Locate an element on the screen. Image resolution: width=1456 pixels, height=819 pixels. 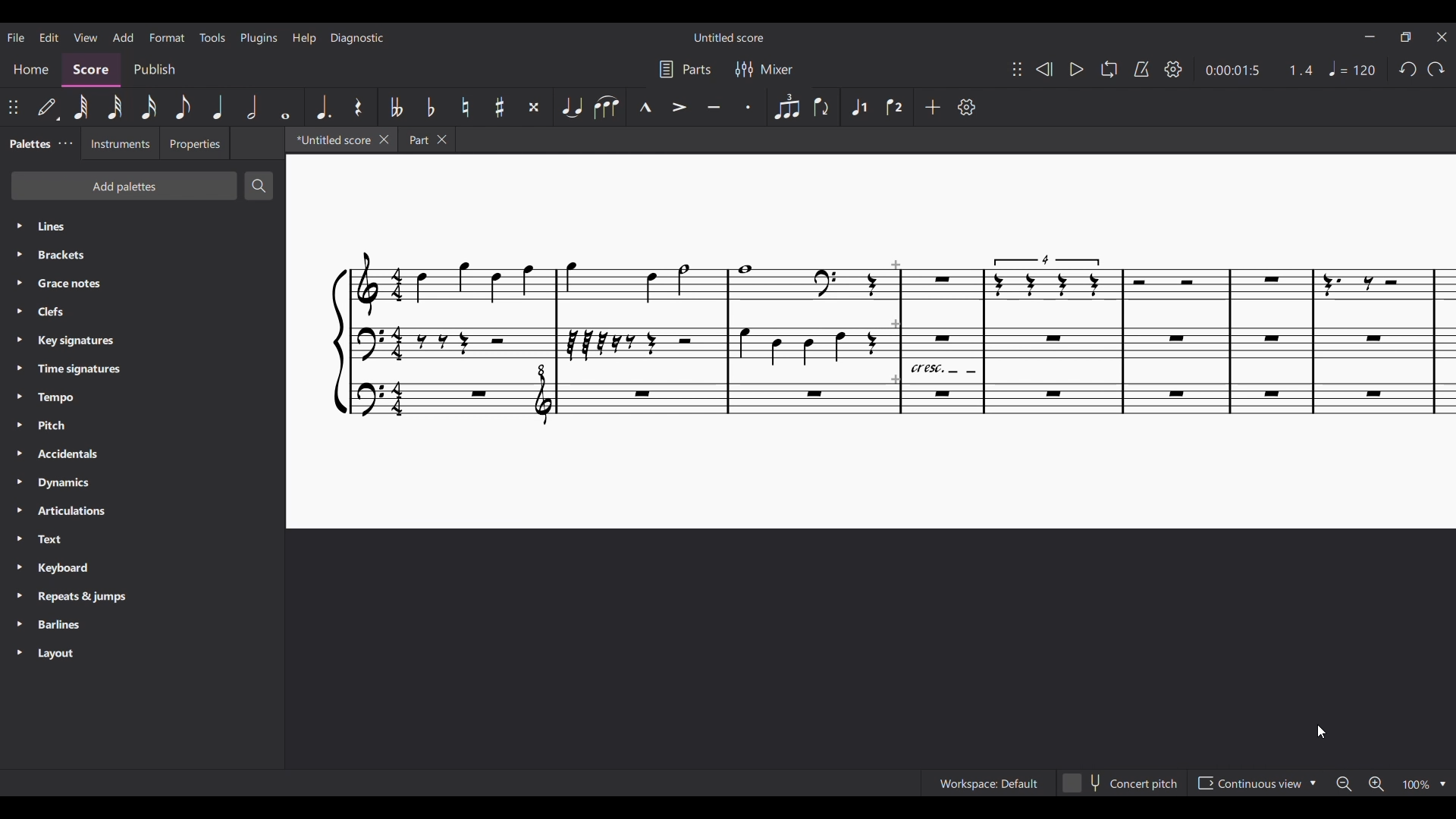
Undo is located at coordinates (1408, 70).